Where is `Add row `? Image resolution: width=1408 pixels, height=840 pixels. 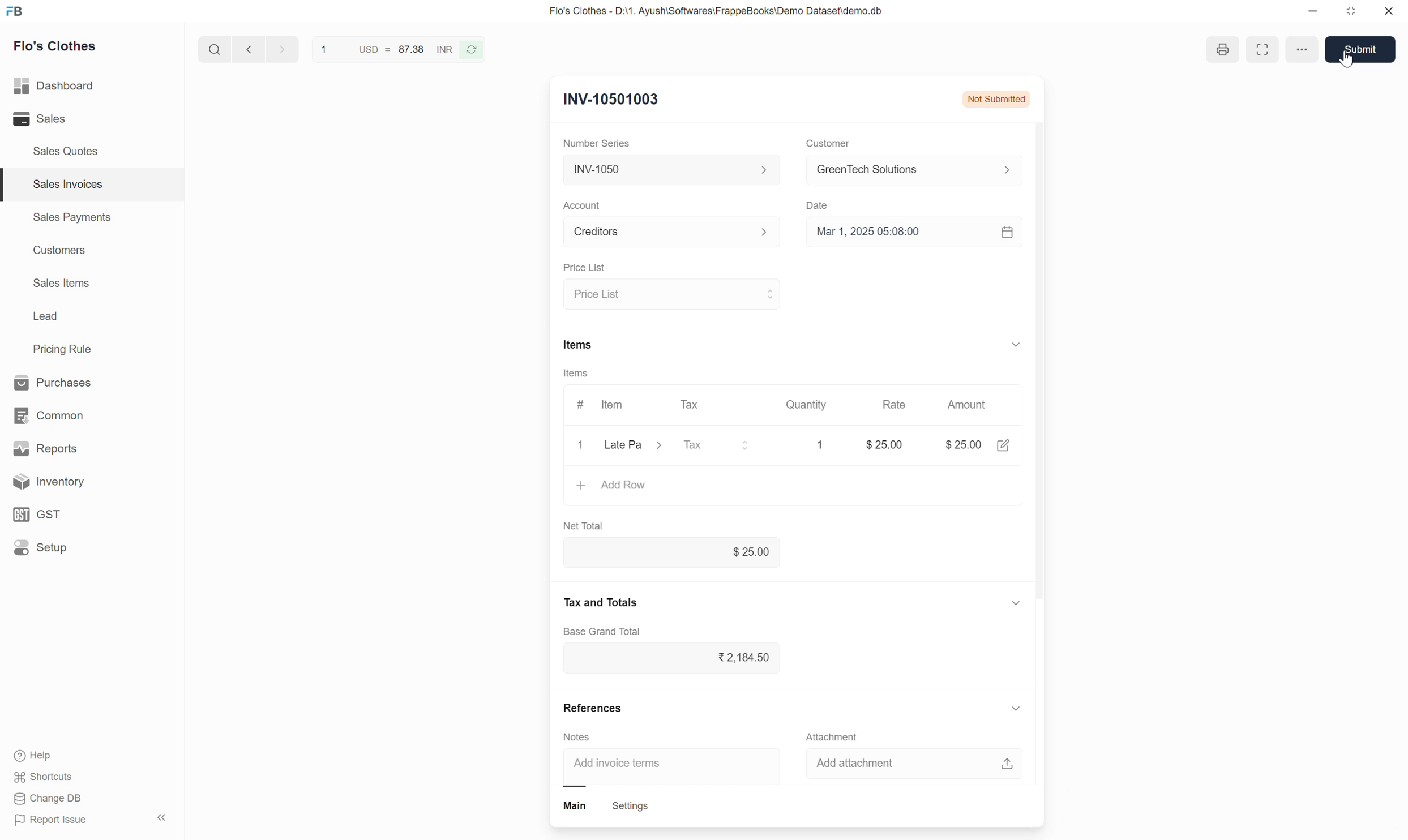 Add row  is located at coordinates (625, 483).